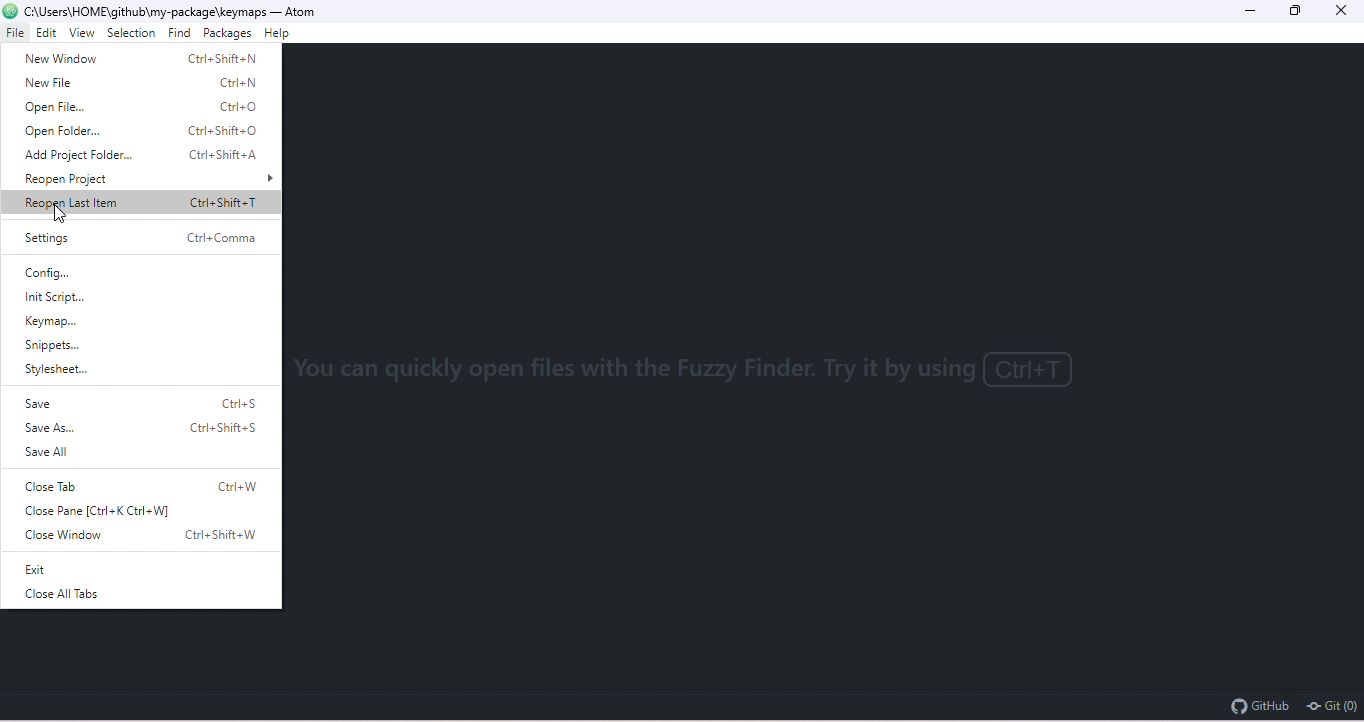  Describe the element at coordinates (690, 374) in the screenshot. I see `you can quickly open files with the fuzzy finder. try it by using` at that location.